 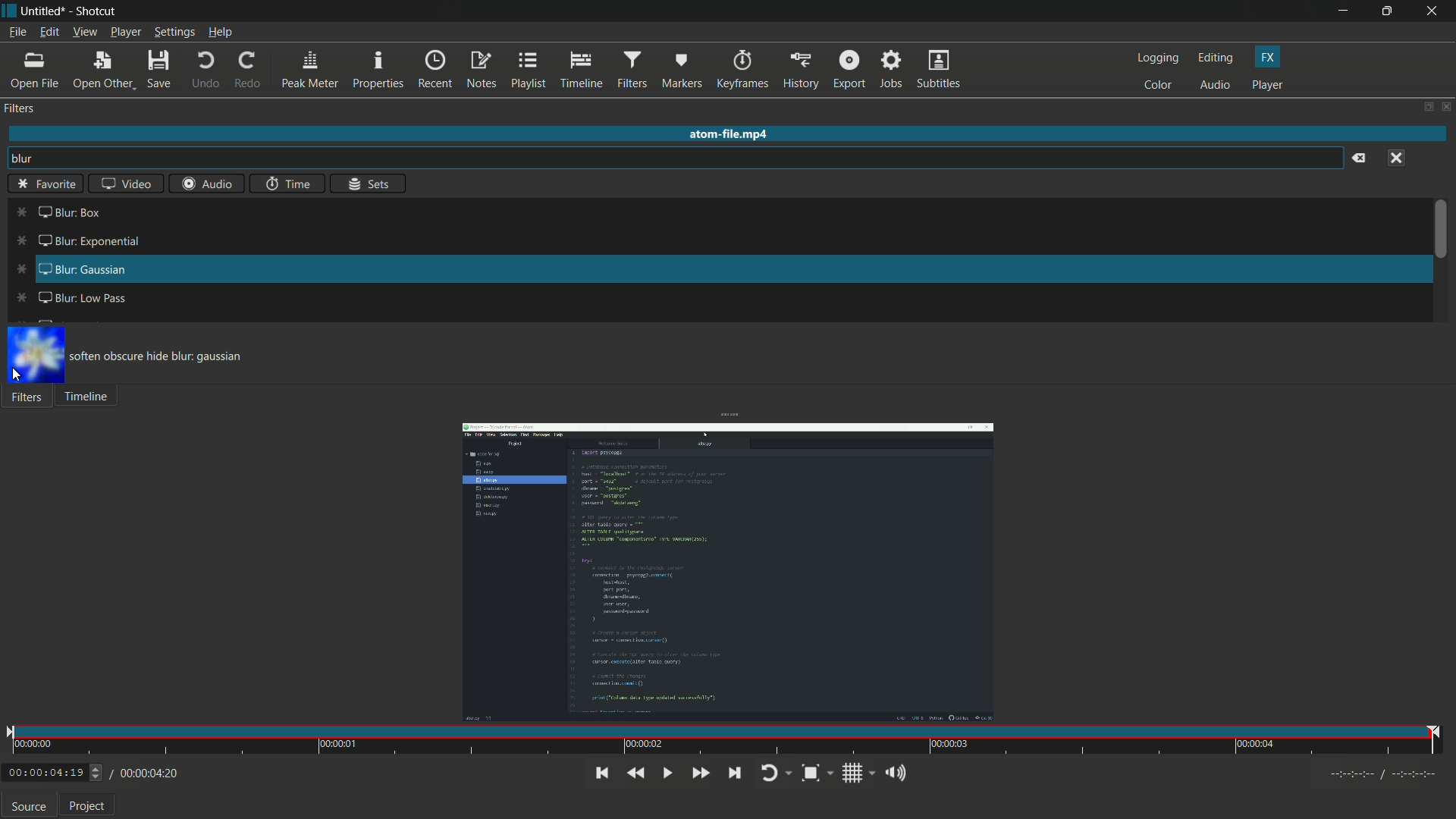 I want to click on project, so click(x=89, y=806).